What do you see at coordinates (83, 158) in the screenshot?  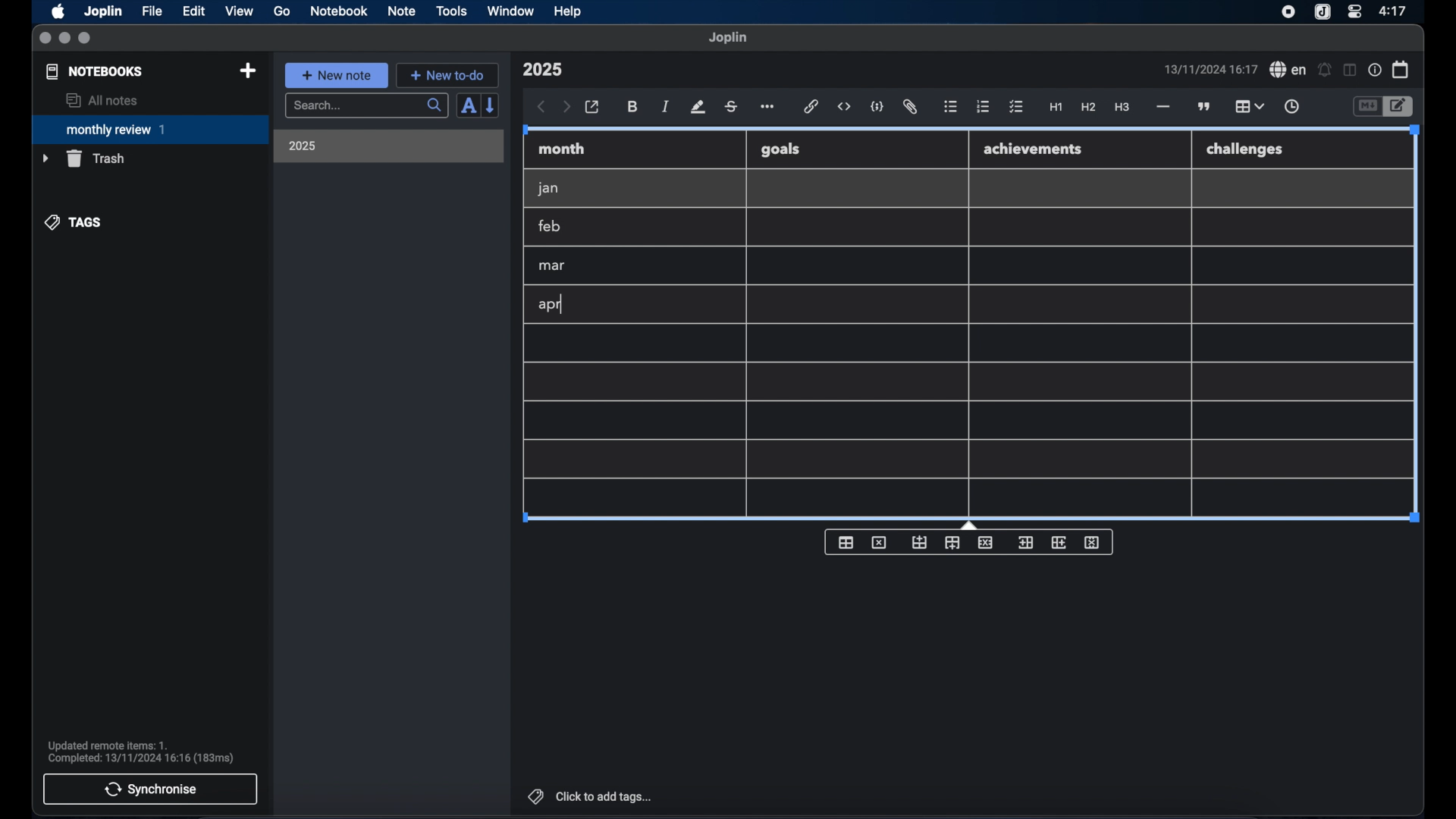 I see `trash` at bounding box center [83, 158].